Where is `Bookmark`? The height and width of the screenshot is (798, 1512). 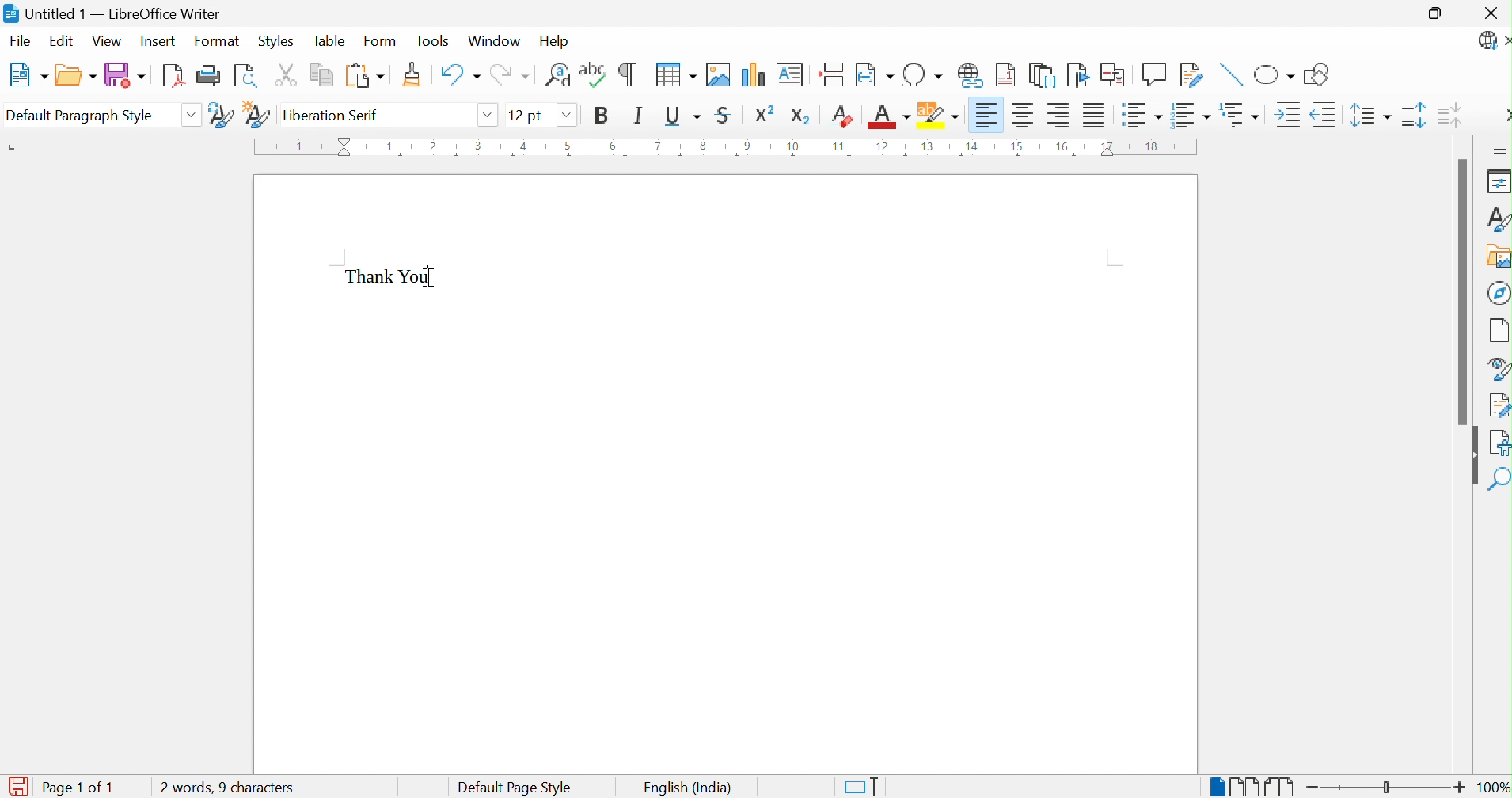 Bookmark is located at coordinates (1078, 74).